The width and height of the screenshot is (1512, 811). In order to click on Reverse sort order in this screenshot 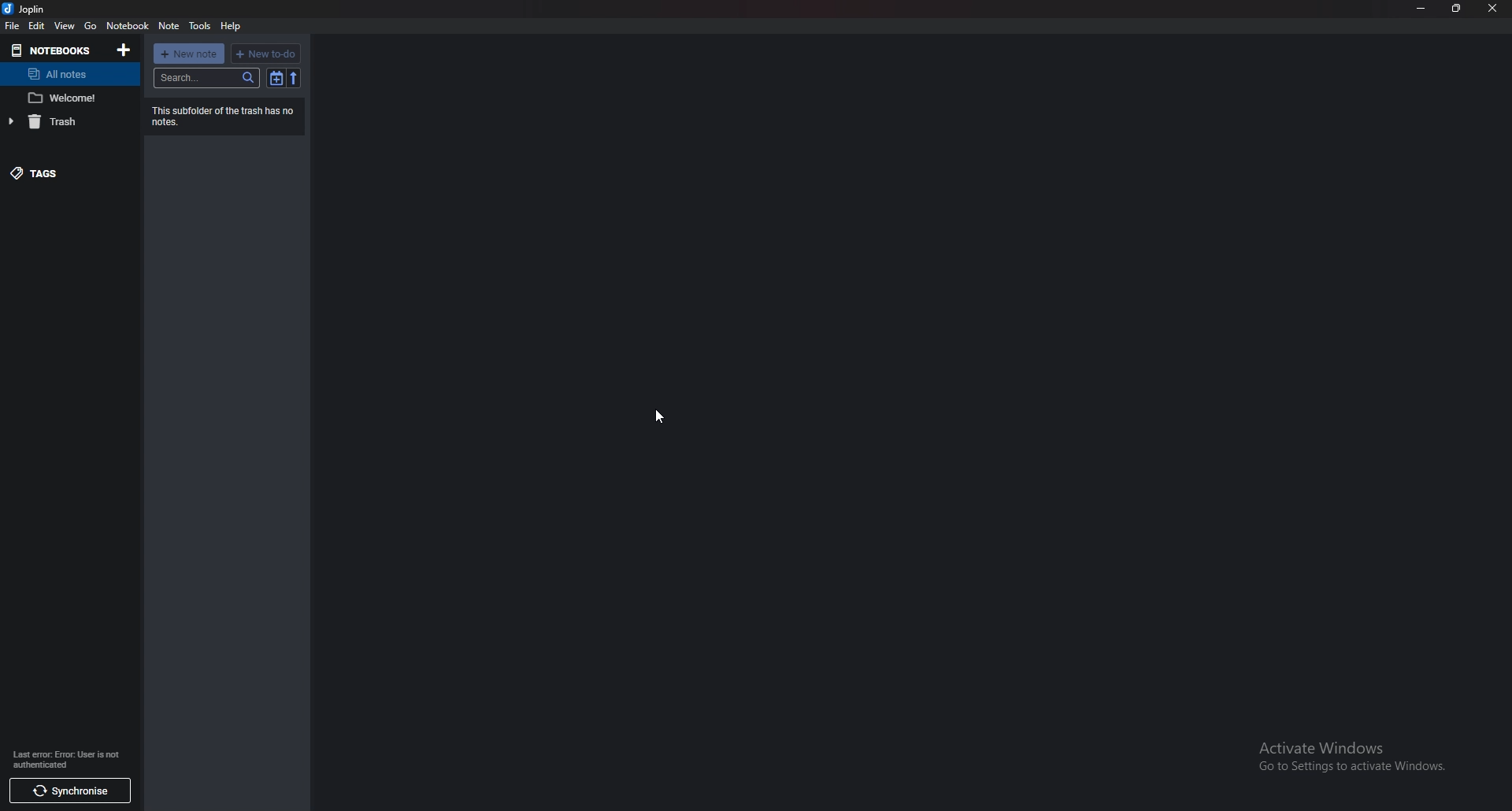, I will do `click(293, 78)`.